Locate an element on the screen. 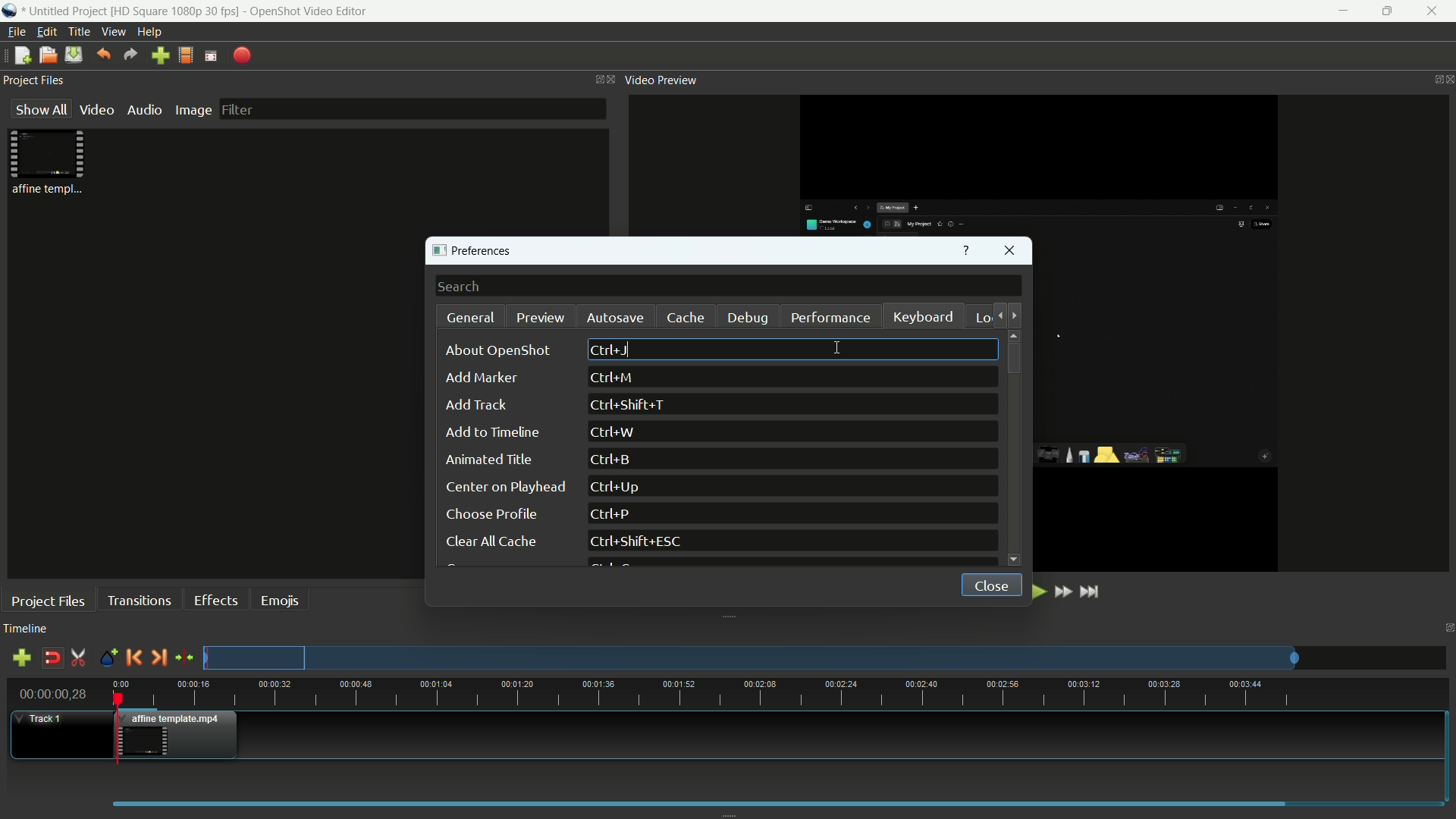 This screenshot has width=1456, height=819. keyboard shortcut is located at coordinates (613, 460).